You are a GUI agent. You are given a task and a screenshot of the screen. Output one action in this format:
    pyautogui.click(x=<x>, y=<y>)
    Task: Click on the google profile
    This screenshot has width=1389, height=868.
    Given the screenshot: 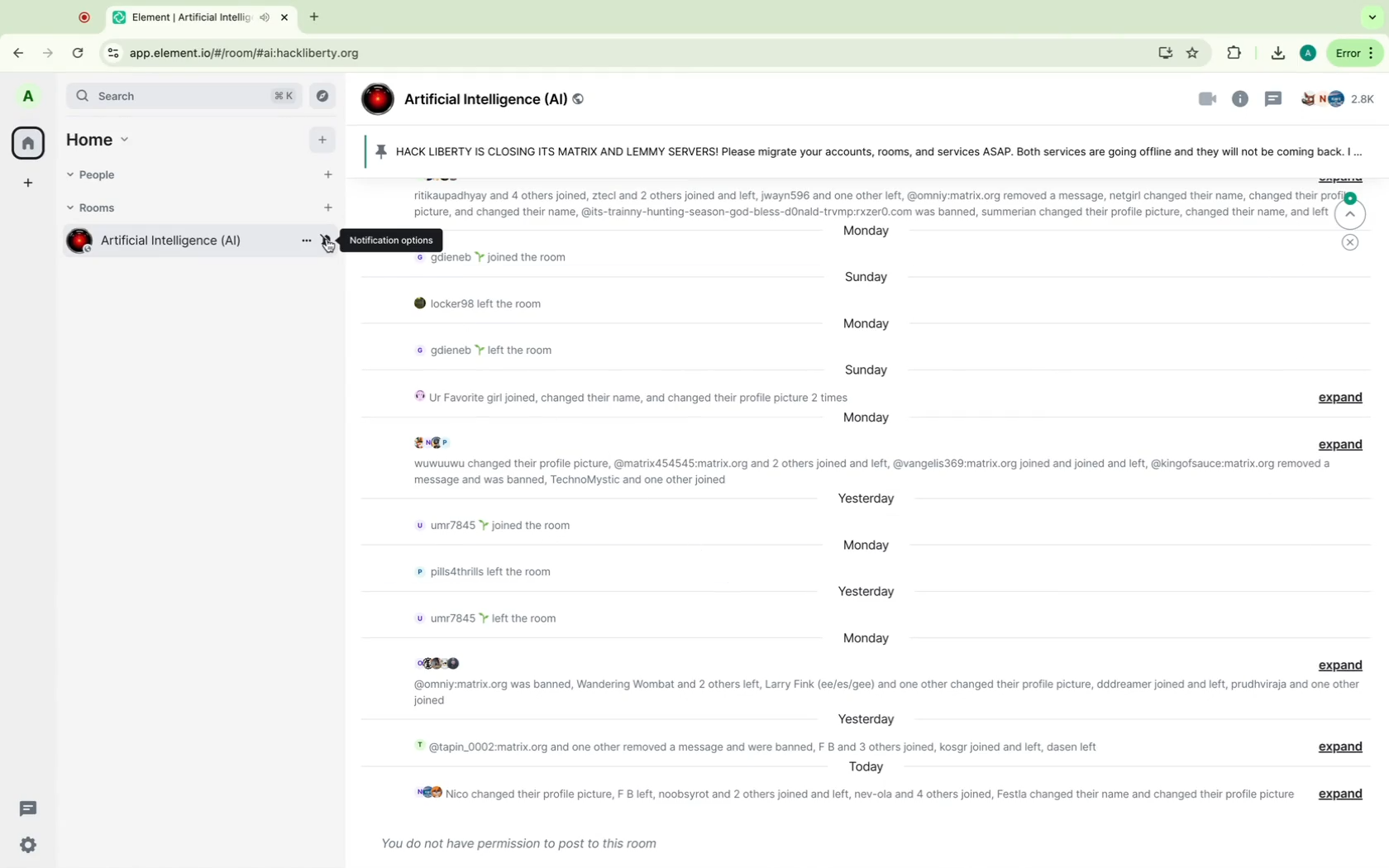 What is the action you would take?
    pyautogui.click(x=1307, y=51)
    